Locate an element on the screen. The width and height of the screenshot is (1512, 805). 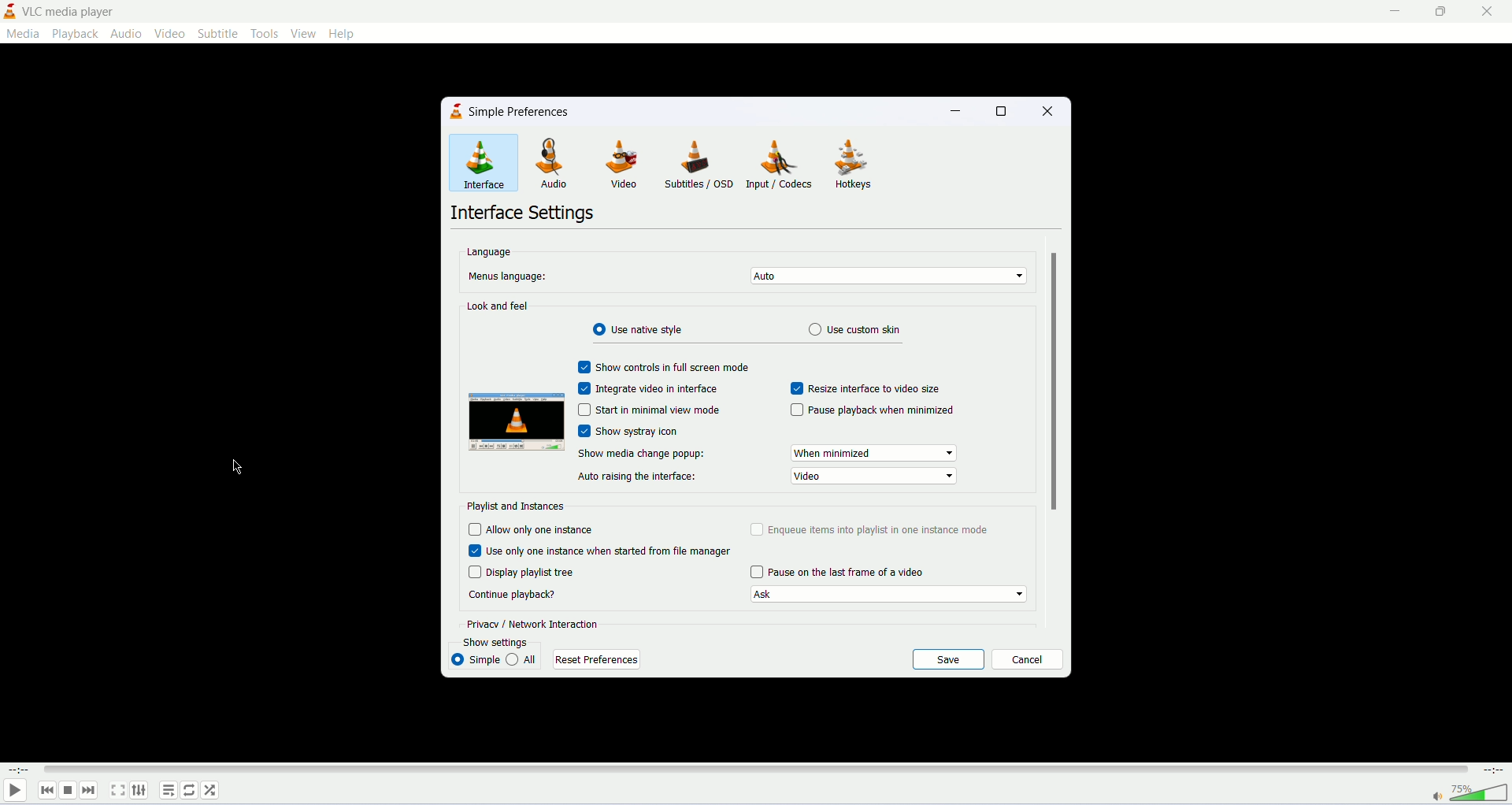
look and feel is located at coordinates (496, 305).